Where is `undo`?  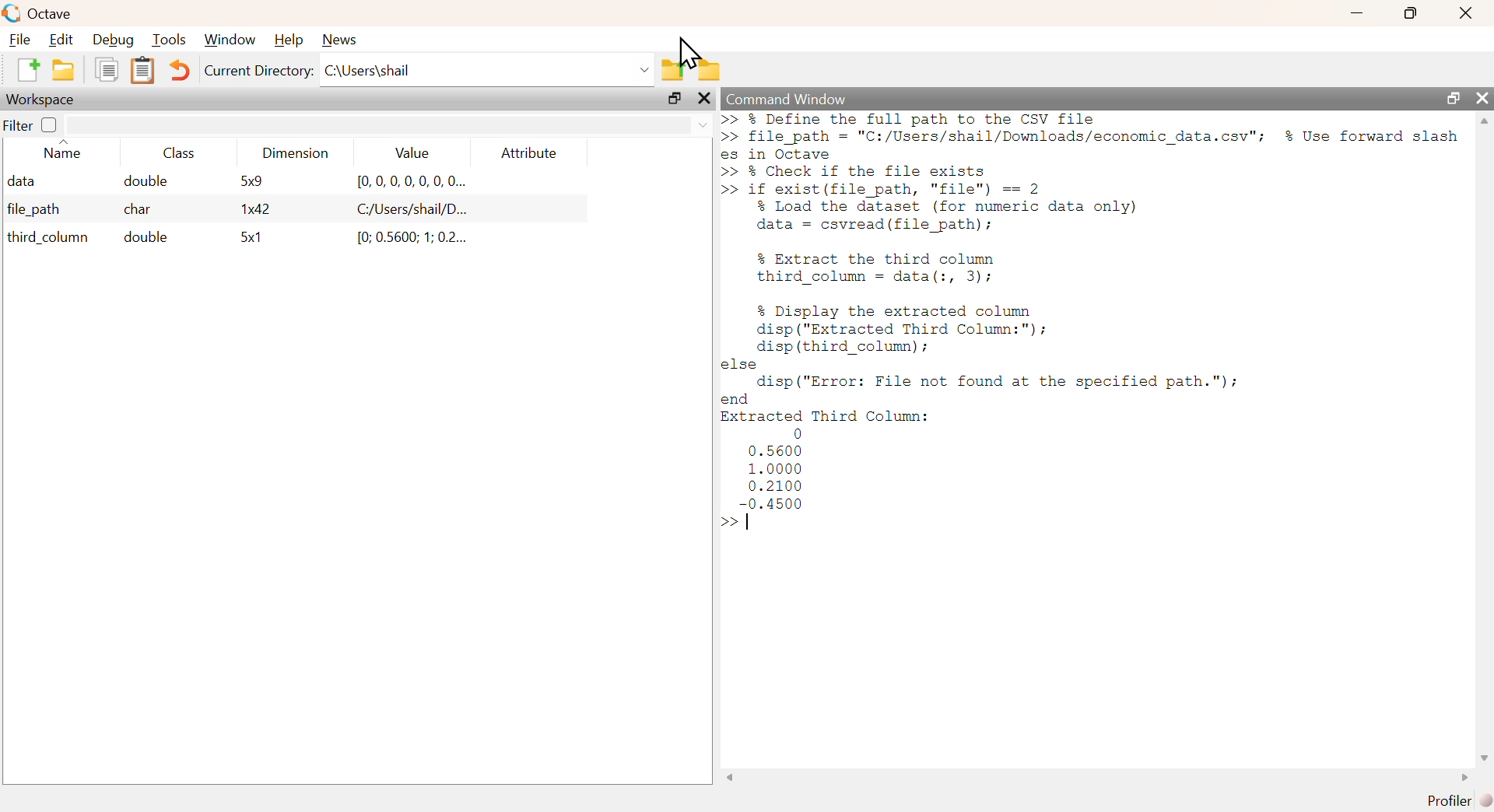 undo is located at coordinates (182, 72).